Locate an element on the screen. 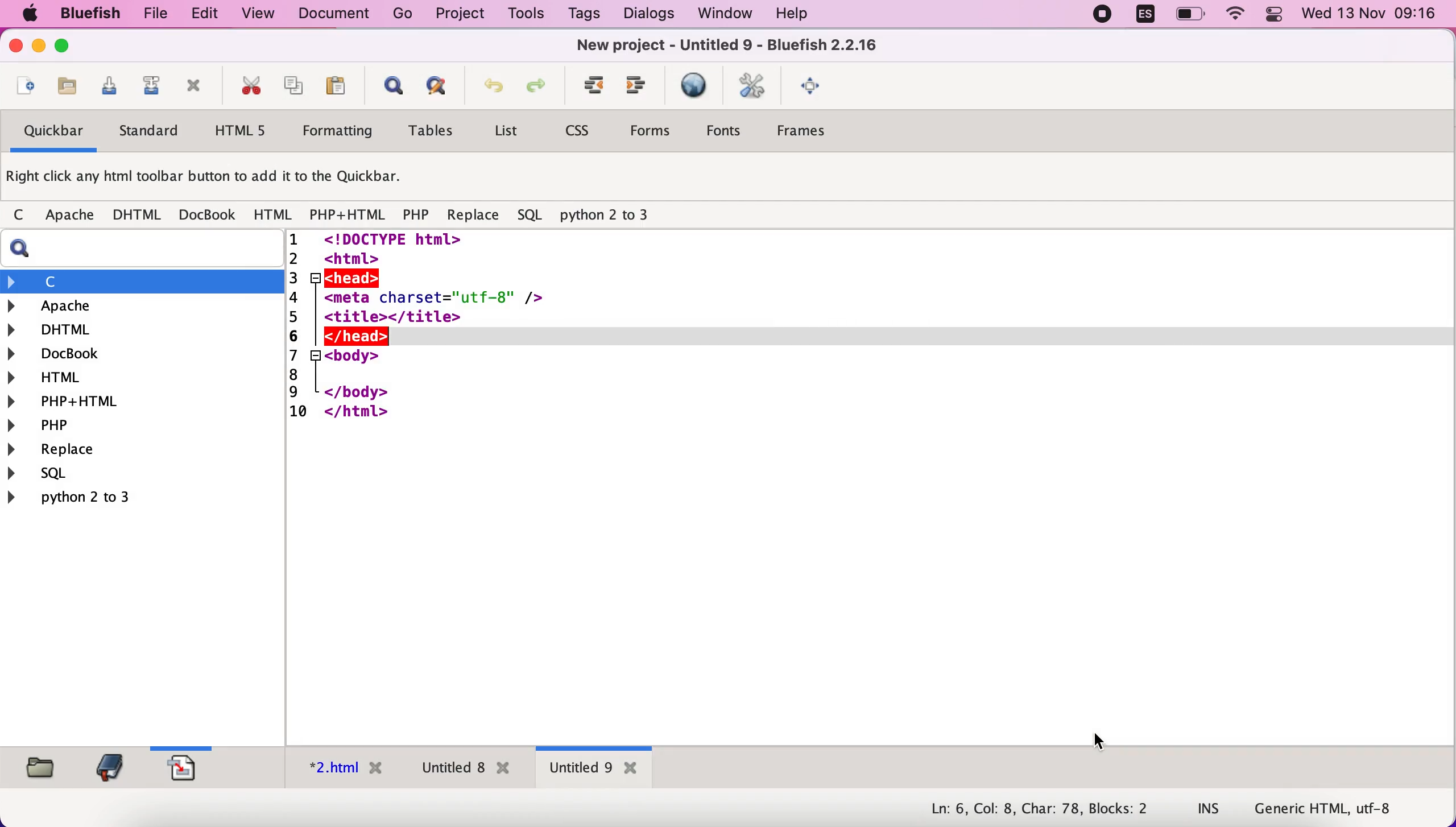 The width and height of the screenshot is (1456, 827). document is located at coordinates (338, 14).